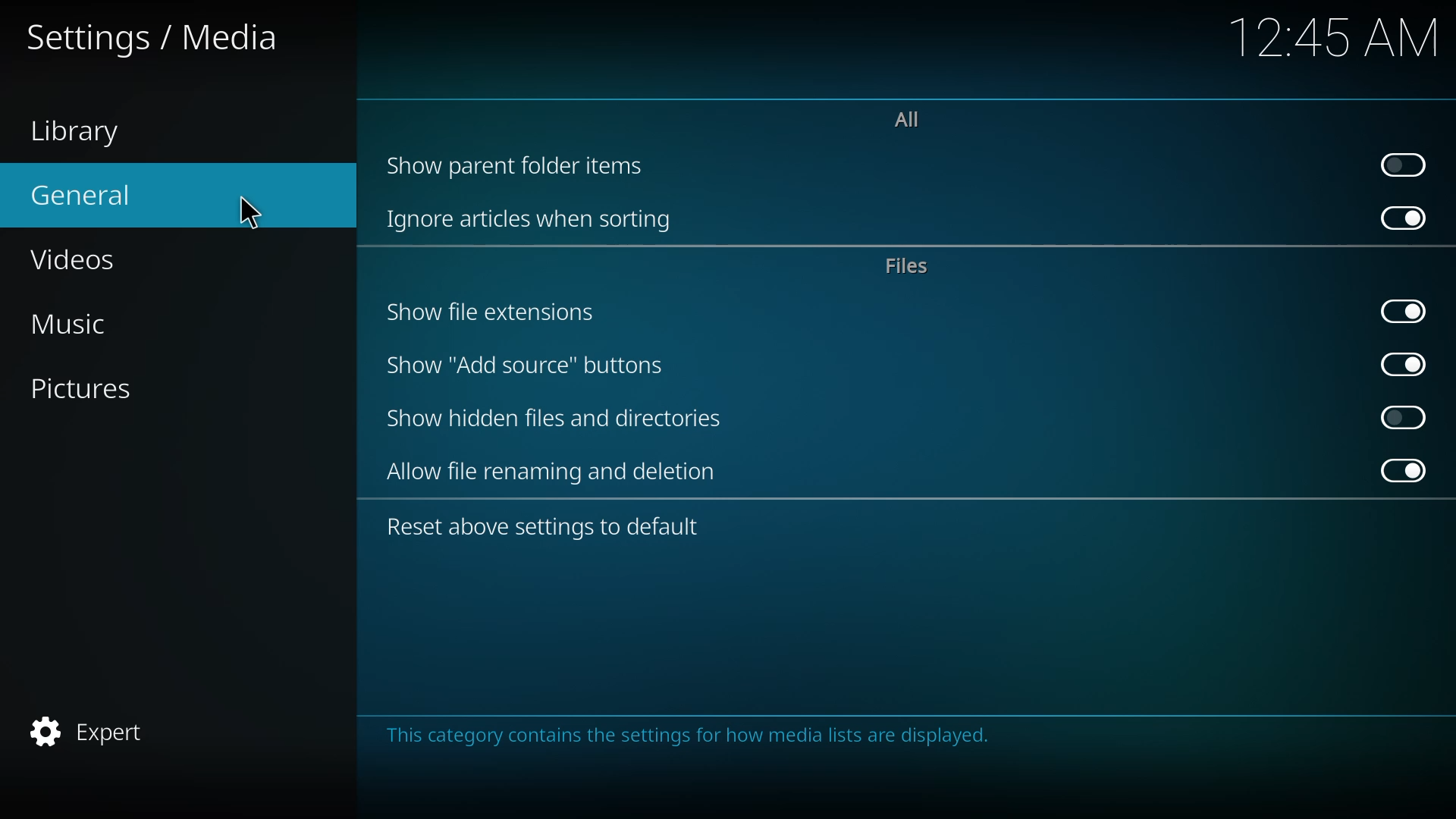  What do you see at coordinates (548, 529) in the screenshot?
I see `reset above settings to default` at bounding box center [548, 529].